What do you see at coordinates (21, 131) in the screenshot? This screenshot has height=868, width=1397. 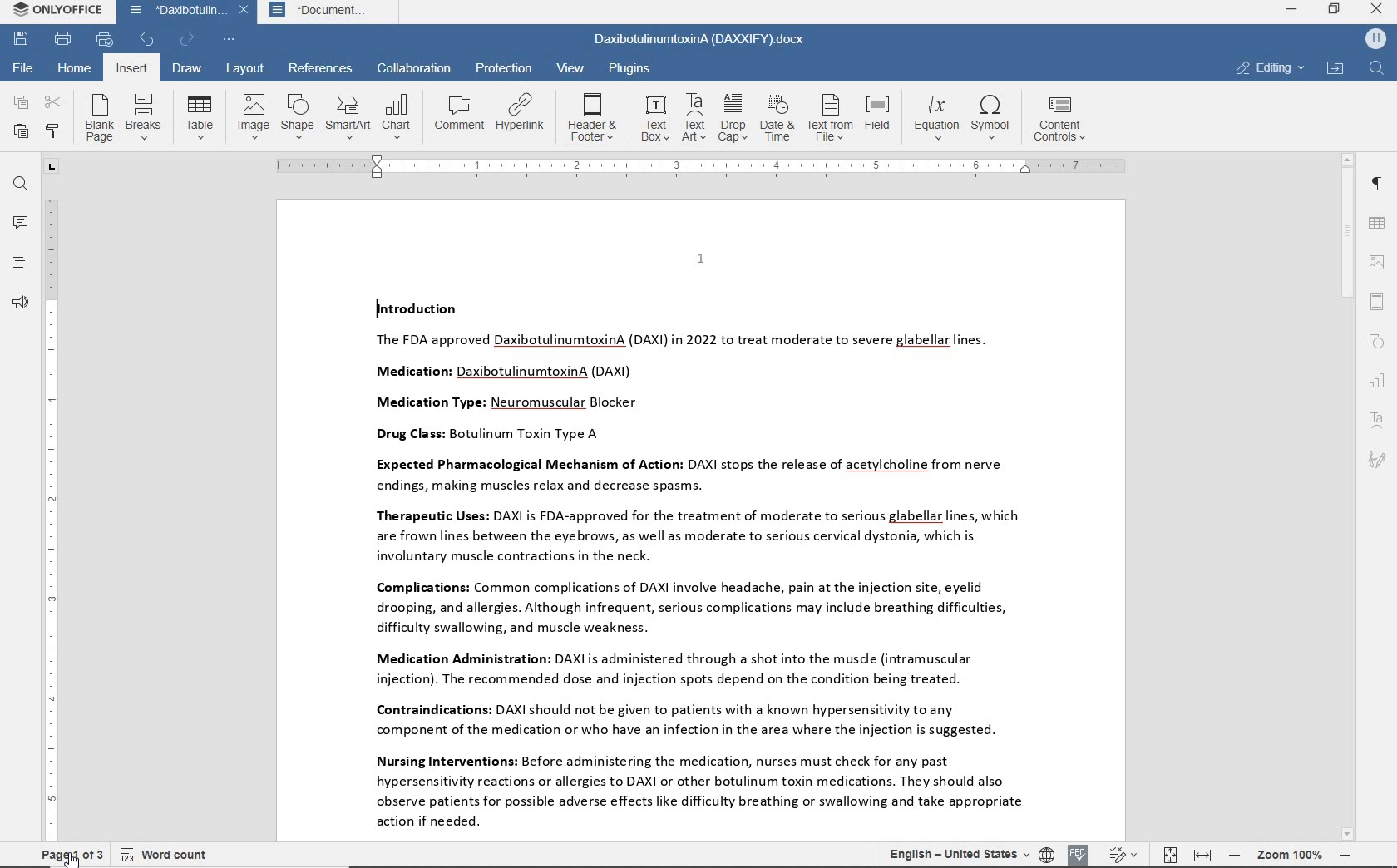 I see `paste` at bounding box center [21, 131].